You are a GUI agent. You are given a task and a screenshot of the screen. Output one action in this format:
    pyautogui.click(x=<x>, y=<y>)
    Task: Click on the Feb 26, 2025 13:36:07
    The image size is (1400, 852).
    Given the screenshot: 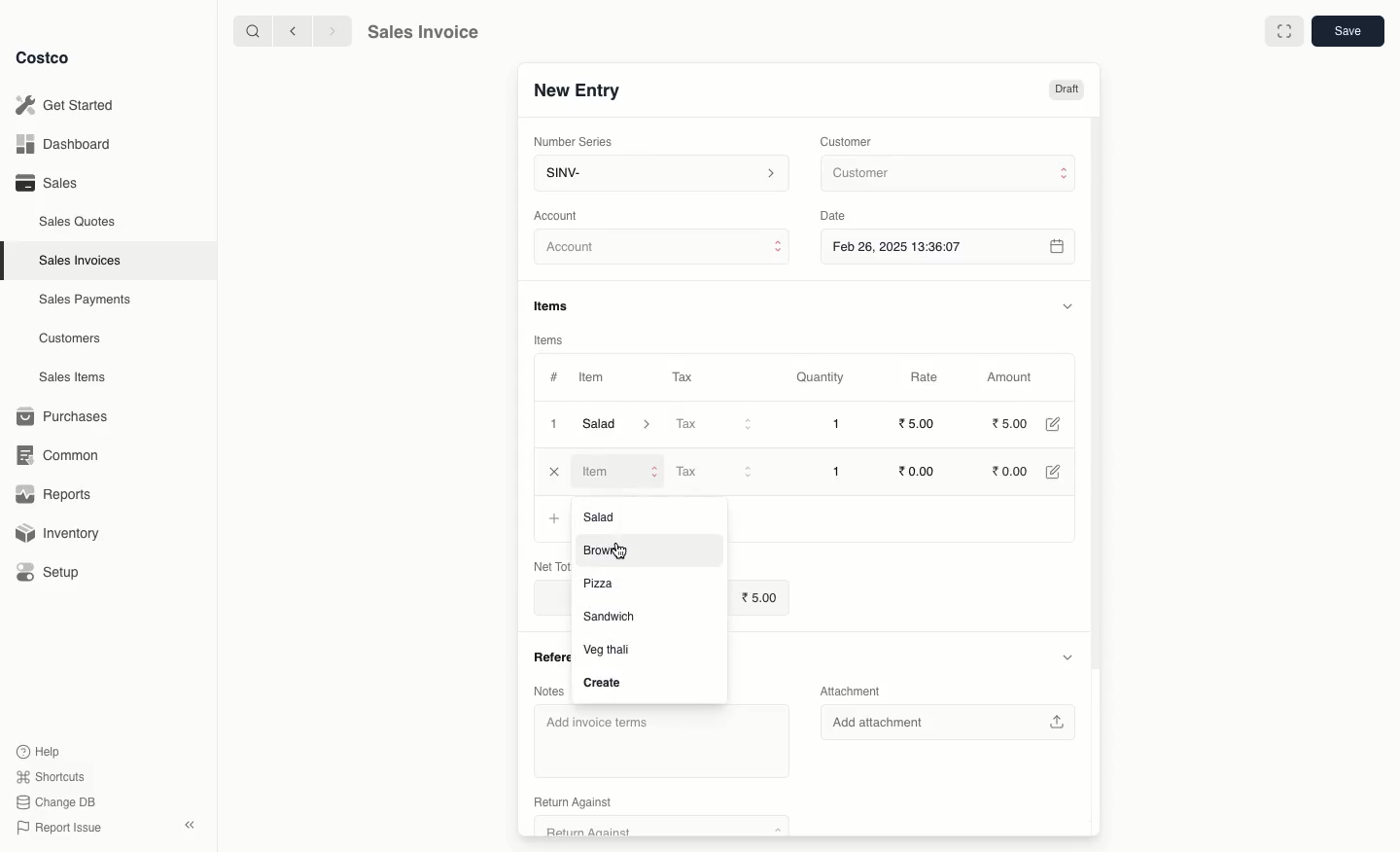 What is the action you would take?
    pyautogui.click(x=950, y=246)
    